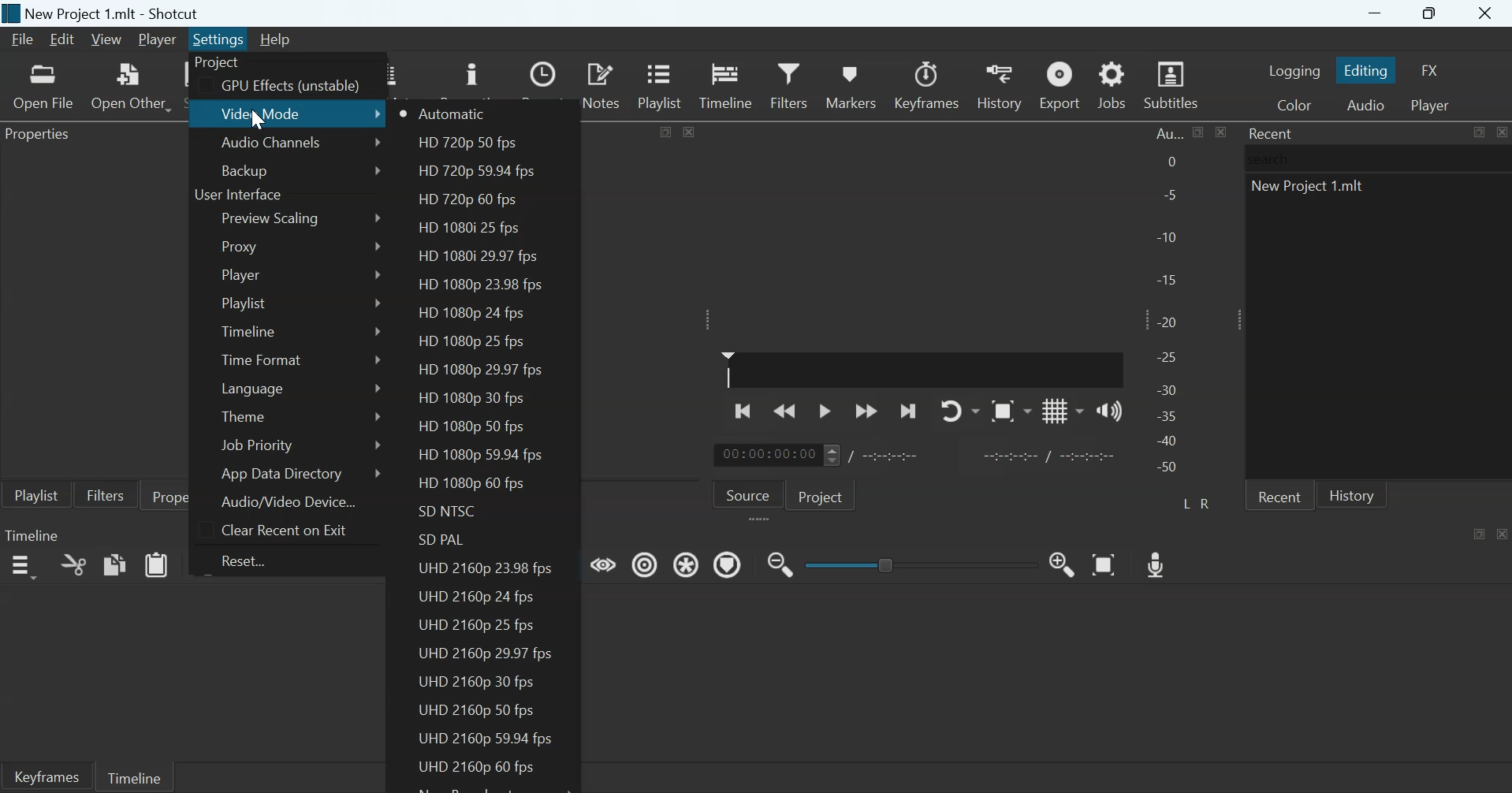 The width and height of the screenshot is (1512, 793). Describe the element at coordinates (1294, 70) in the screenshot. I see `Switch to the Logging layout` at that location.